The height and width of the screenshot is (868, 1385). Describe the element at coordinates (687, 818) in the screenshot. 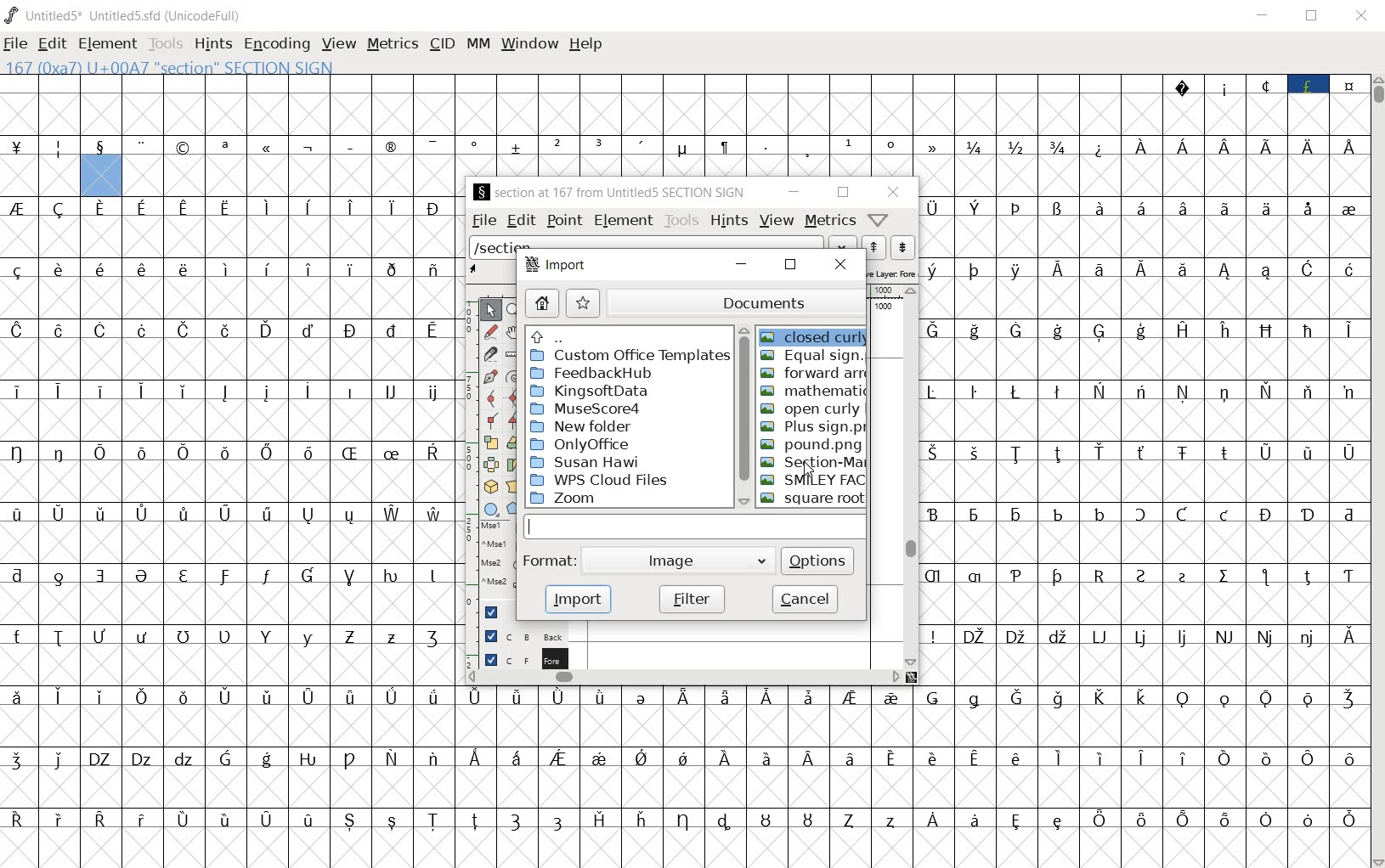

I see `special letters` at that location.